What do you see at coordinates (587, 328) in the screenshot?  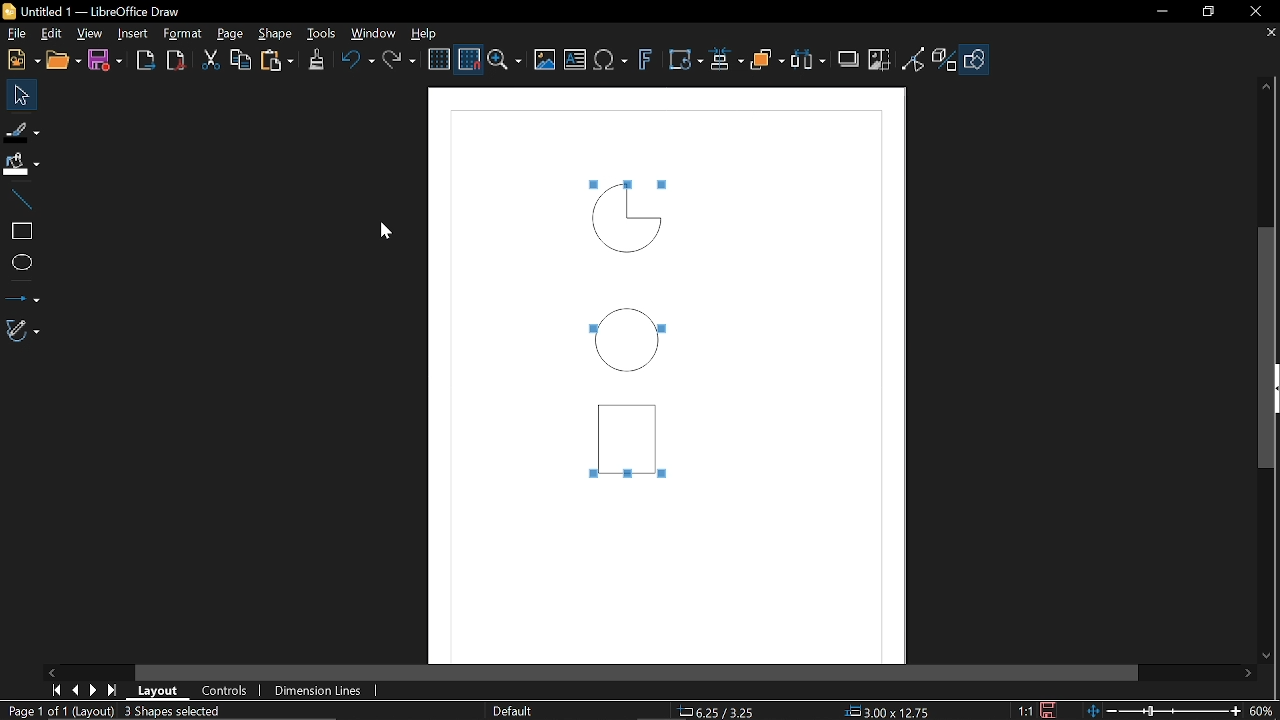 I see `Tiny squares sound selected objects` at bounding box center [587, 328].